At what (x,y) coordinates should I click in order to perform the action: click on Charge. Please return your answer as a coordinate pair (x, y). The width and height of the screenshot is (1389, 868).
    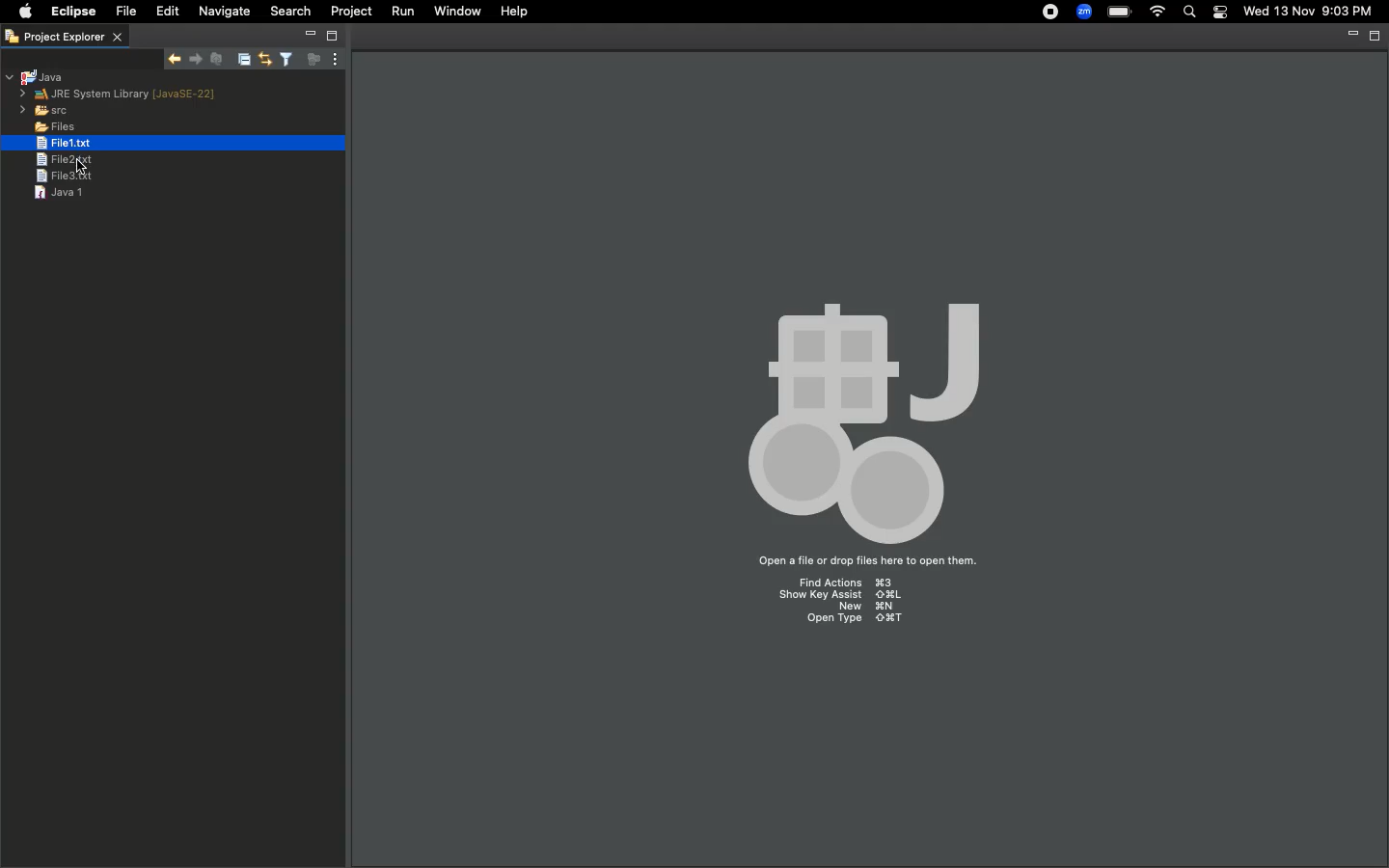
    Looking at the image, I should click on (1118, 12).